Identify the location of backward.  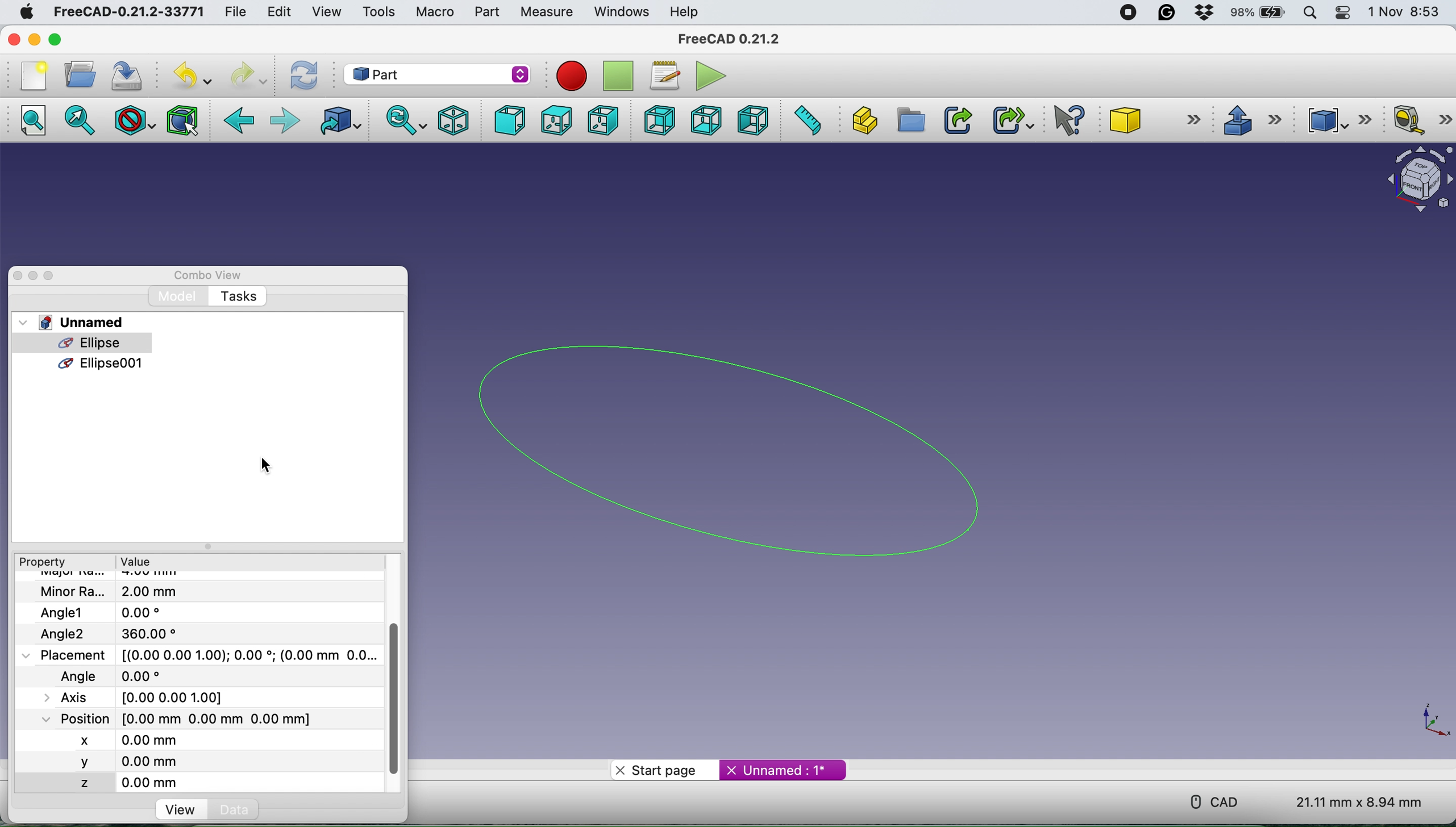
(243, 122).